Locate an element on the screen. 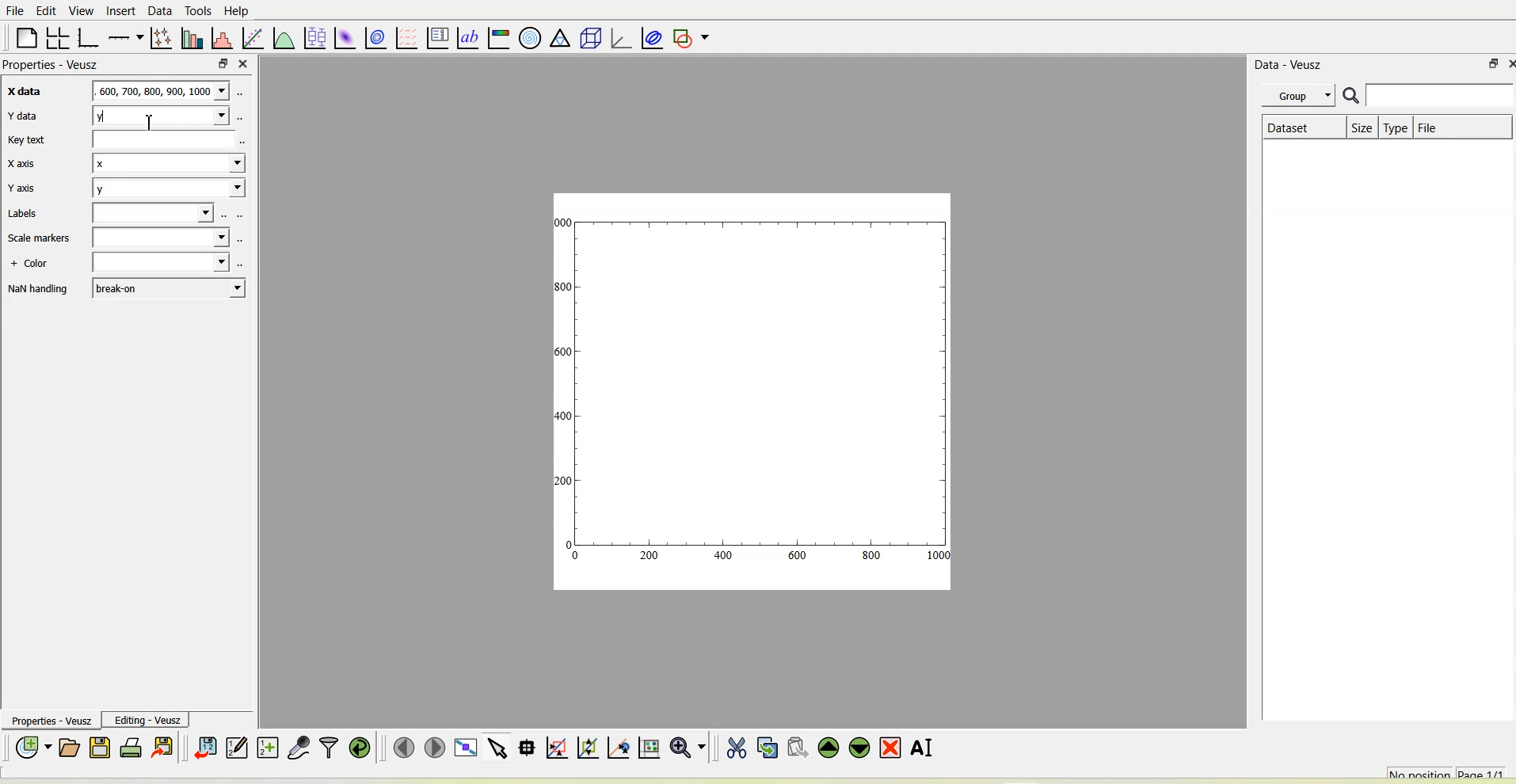  plot box plots is located at coordinates (314, 37).